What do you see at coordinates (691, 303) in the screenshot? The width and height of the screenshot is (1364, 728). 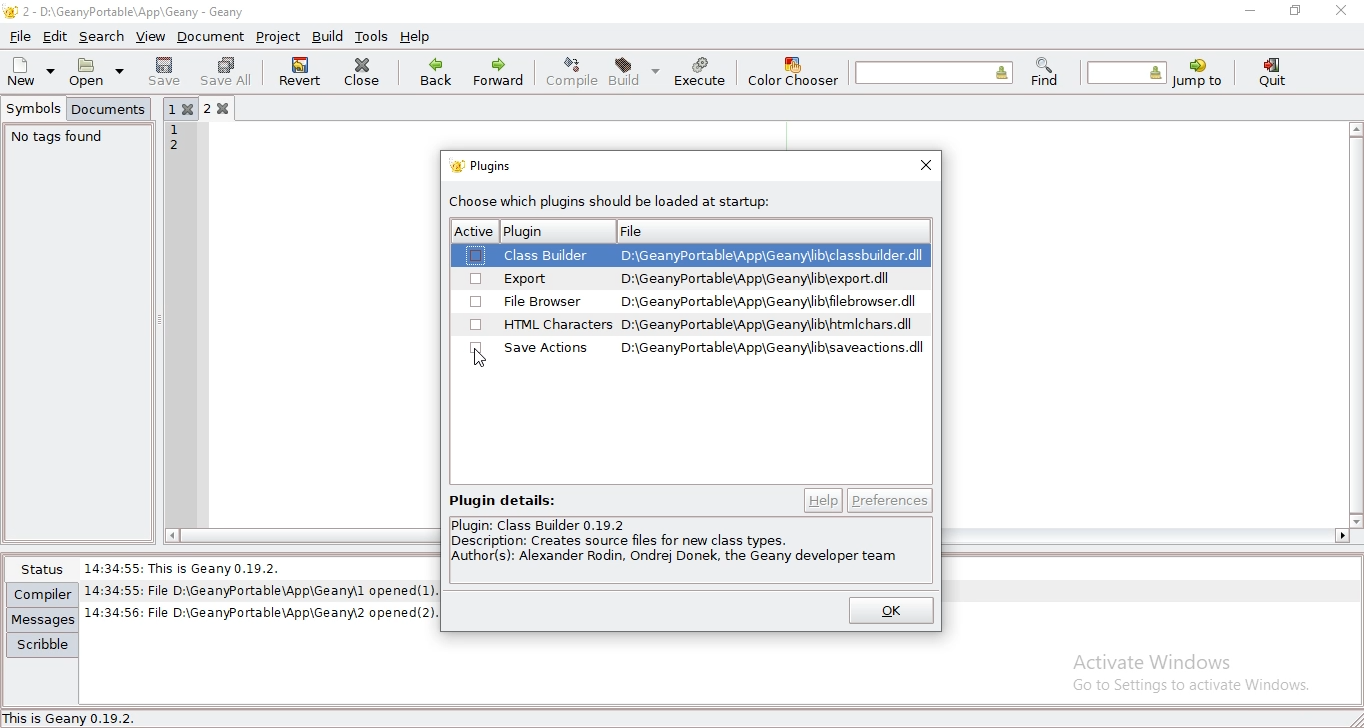 I see `File Browser ~~ D:\GeanyPortable\App\Geany\ib\hlebrowser.dll` at bounding box center [691, 303].